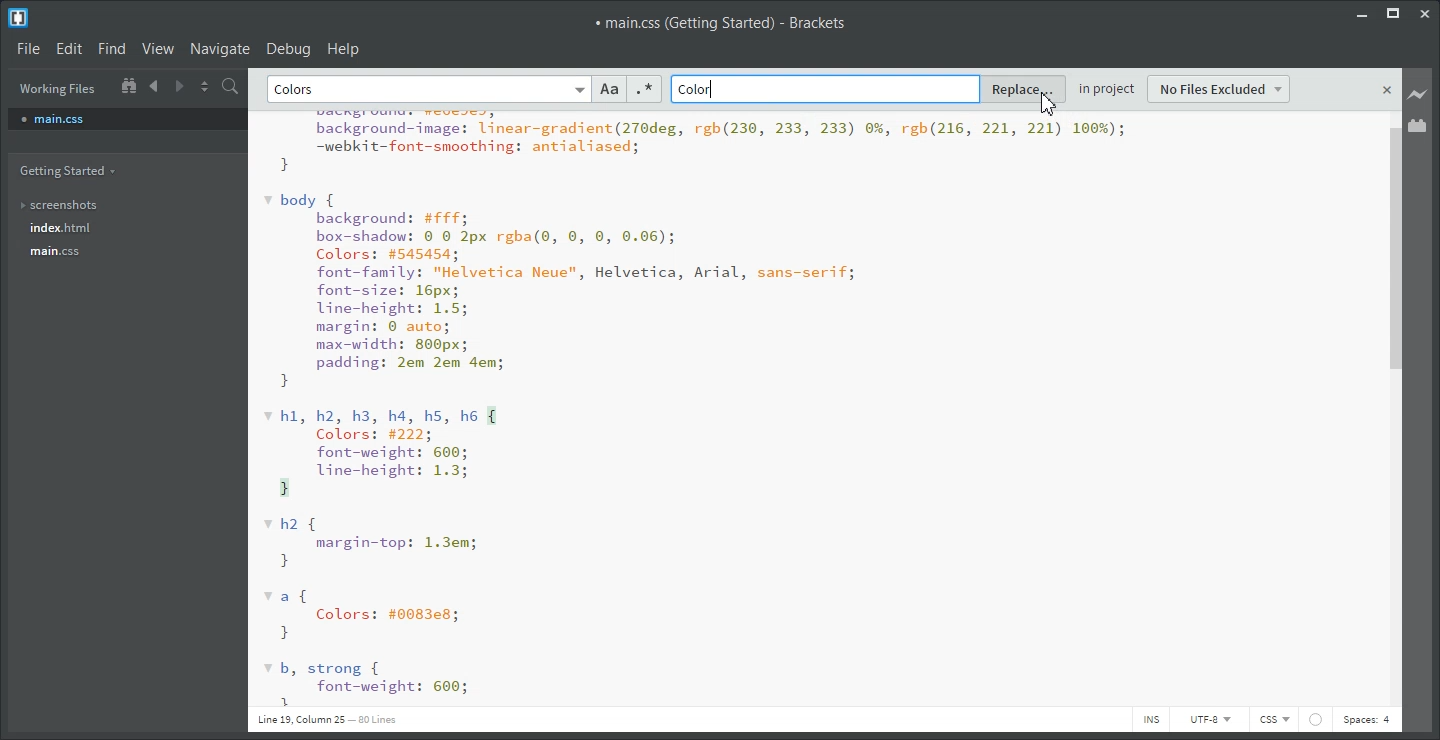  What do you see at coordinates (180, 84) in the screenshot?
I see `Navigate Forward` at bounding box center [180, 84].